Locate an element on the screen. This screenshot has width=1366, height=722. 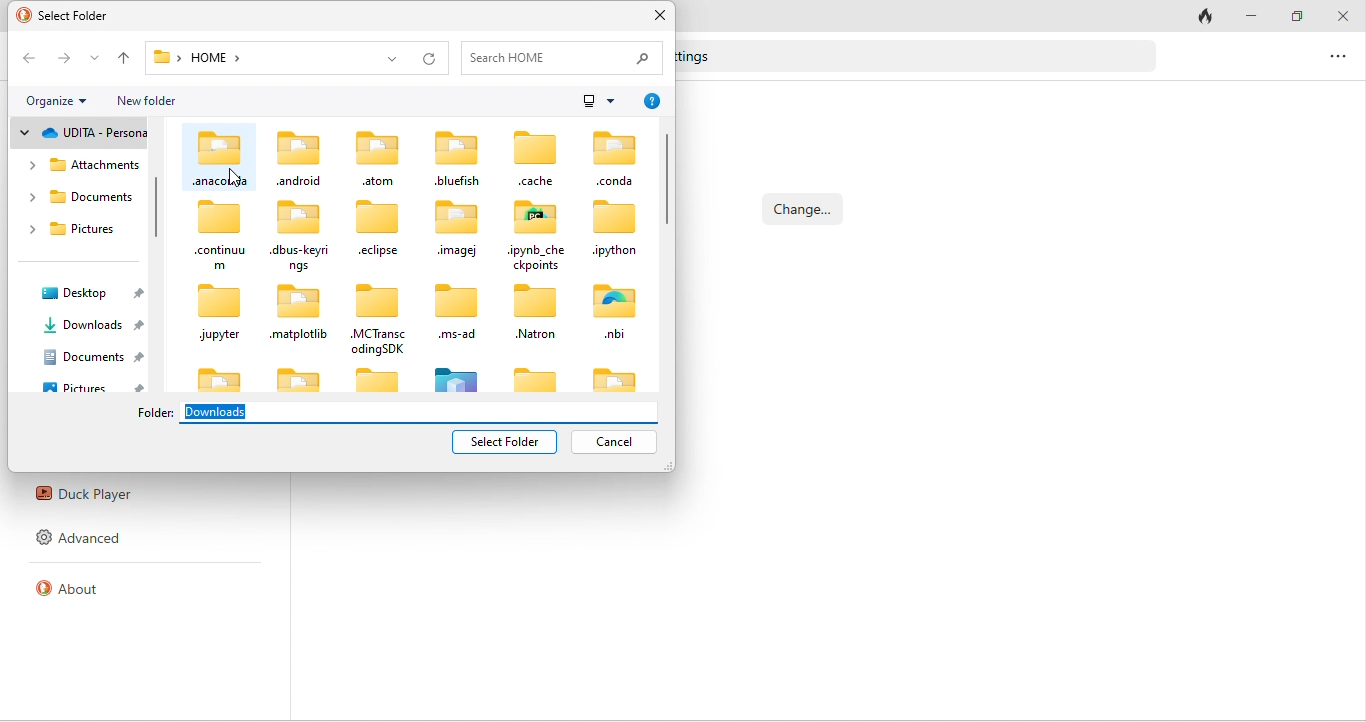
close is located at coordinates (1343, 15).